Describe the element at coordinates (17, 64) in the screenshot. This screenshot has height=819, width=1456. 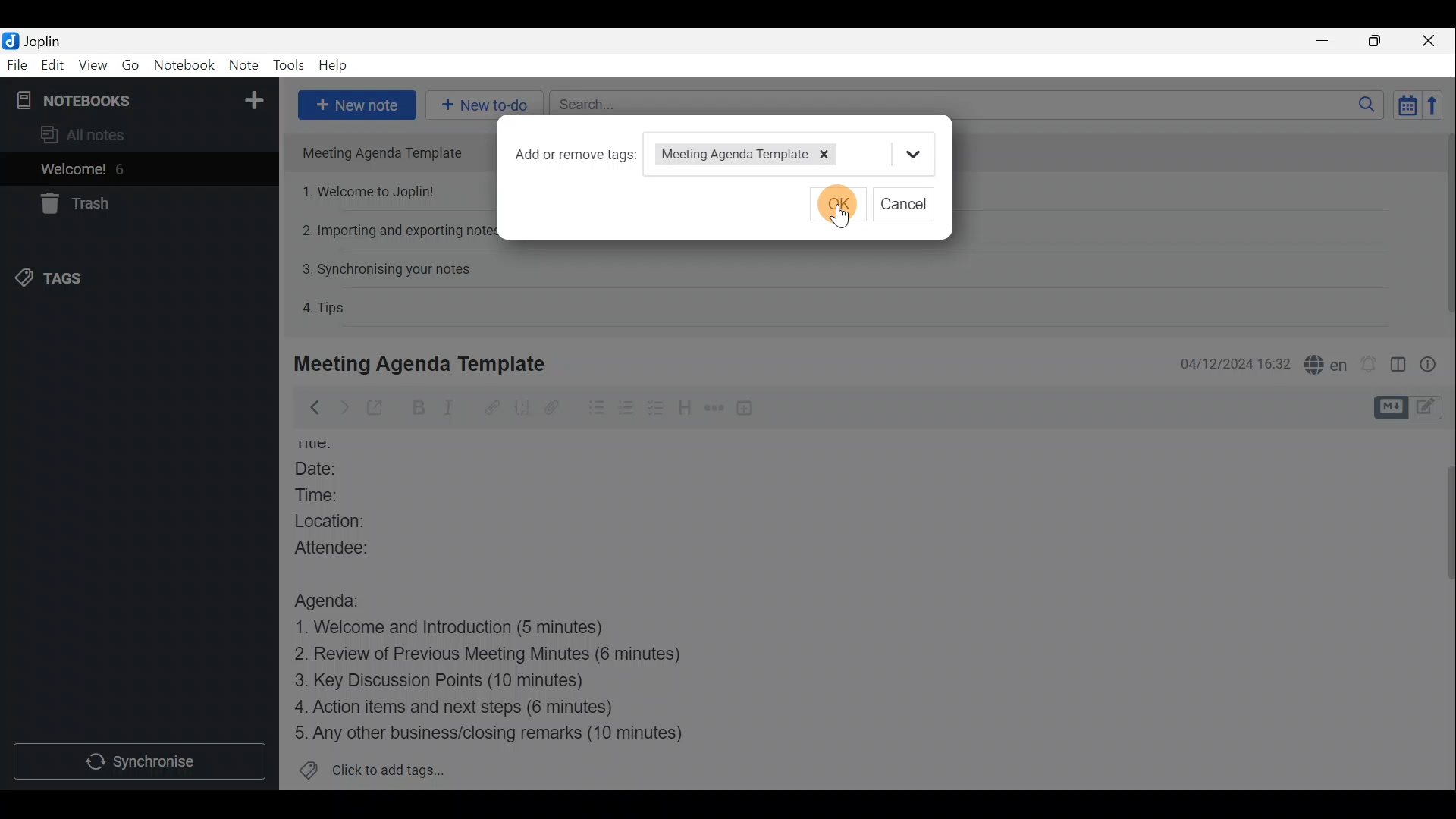
I see `File` at that location.